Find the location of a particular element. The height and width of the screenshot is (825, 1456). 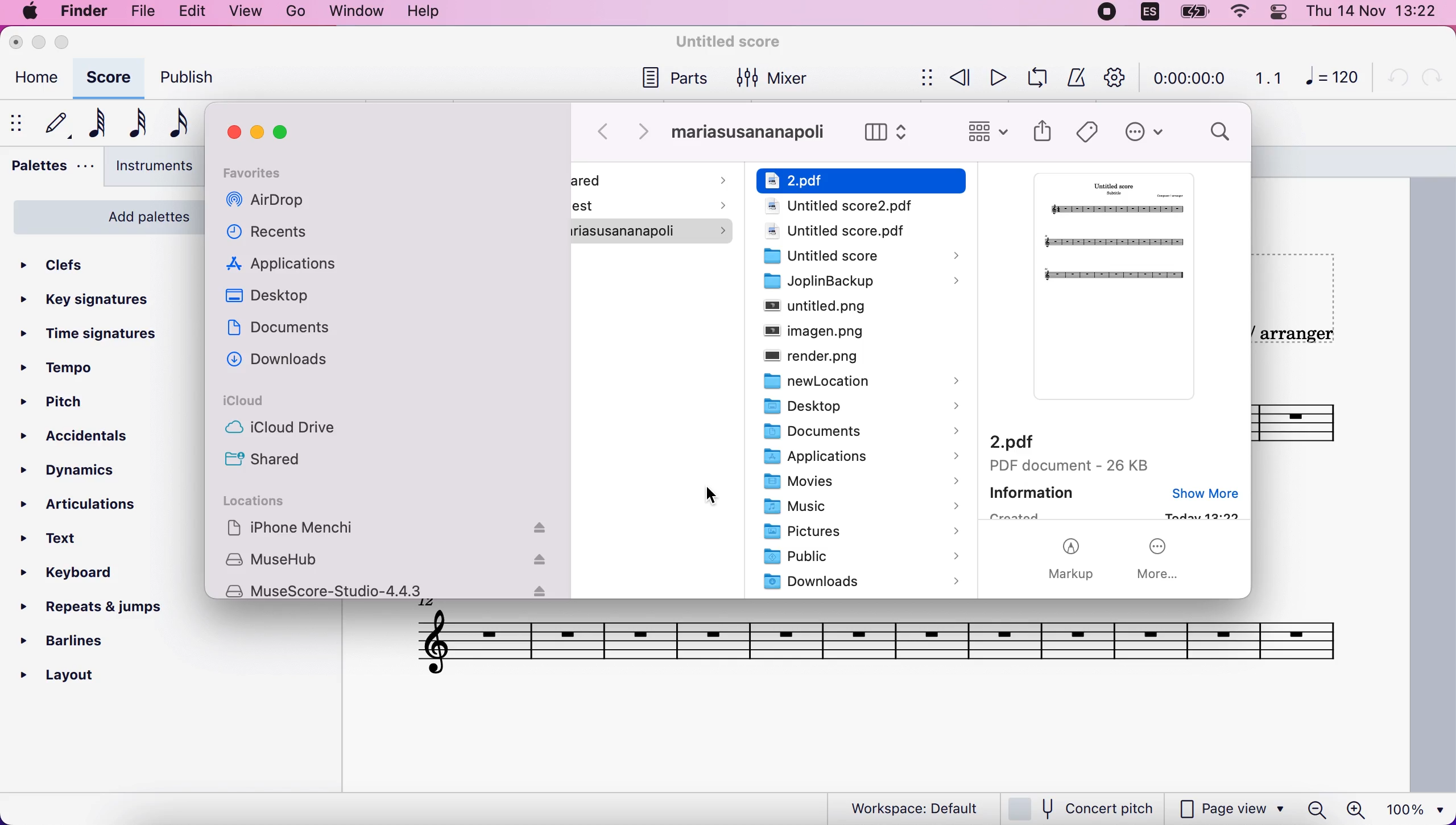

add is located at coordinates (297, 11).